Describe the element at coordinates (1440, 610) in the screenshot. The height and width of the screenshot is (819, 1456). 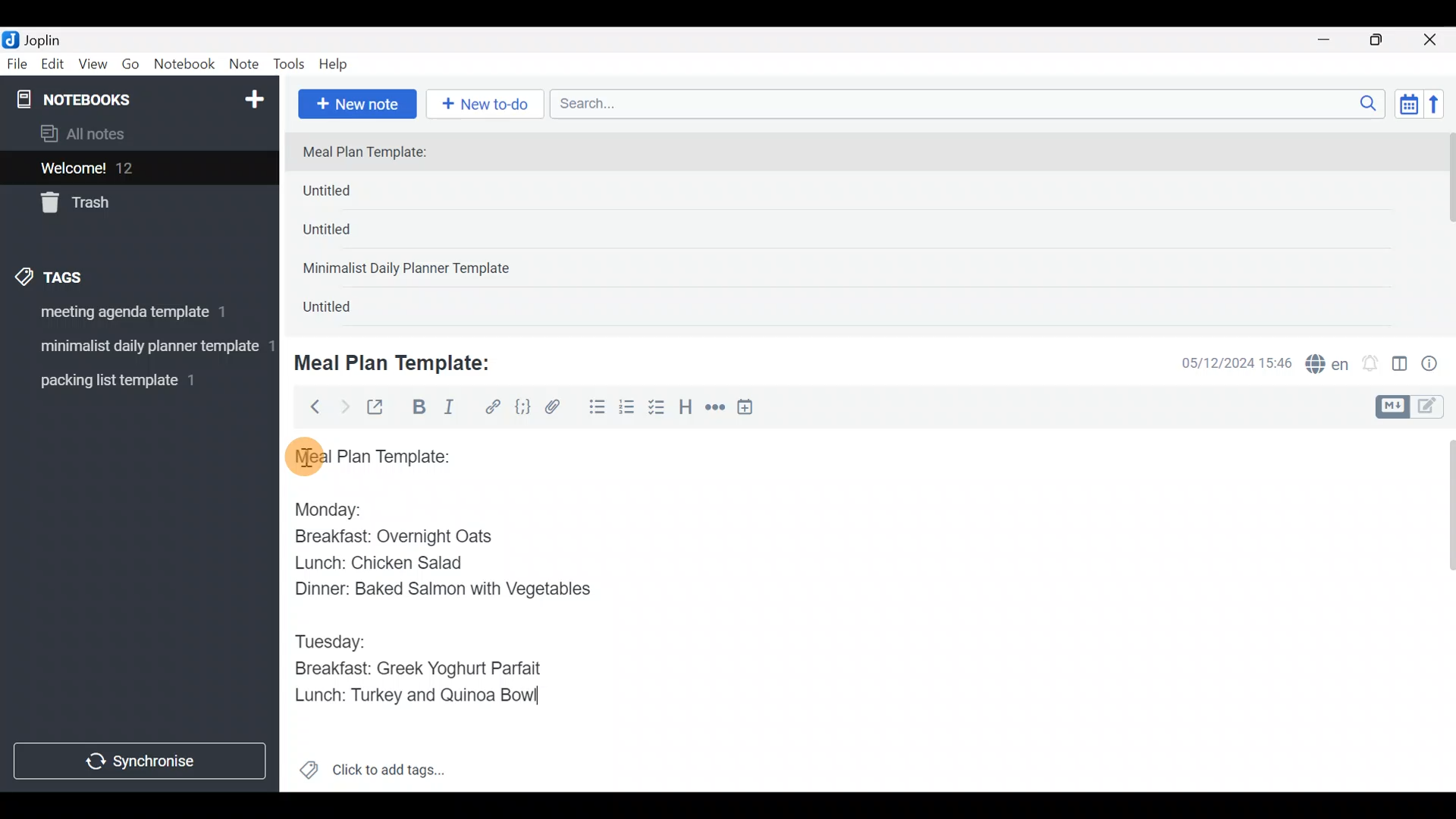
I see `Scroll bar` at that location.